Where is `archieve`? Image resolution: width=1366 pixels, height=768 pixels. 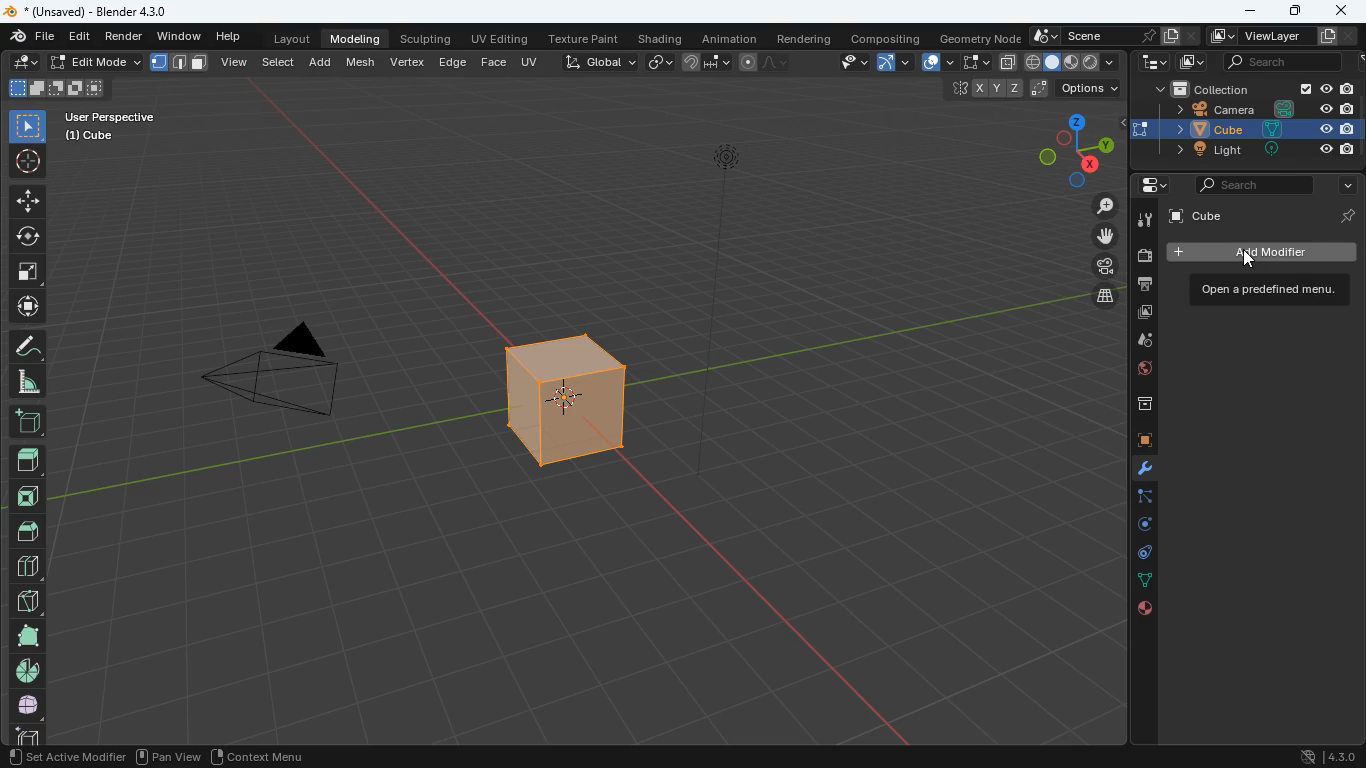 archieve is located at coordinates (1137, 406).